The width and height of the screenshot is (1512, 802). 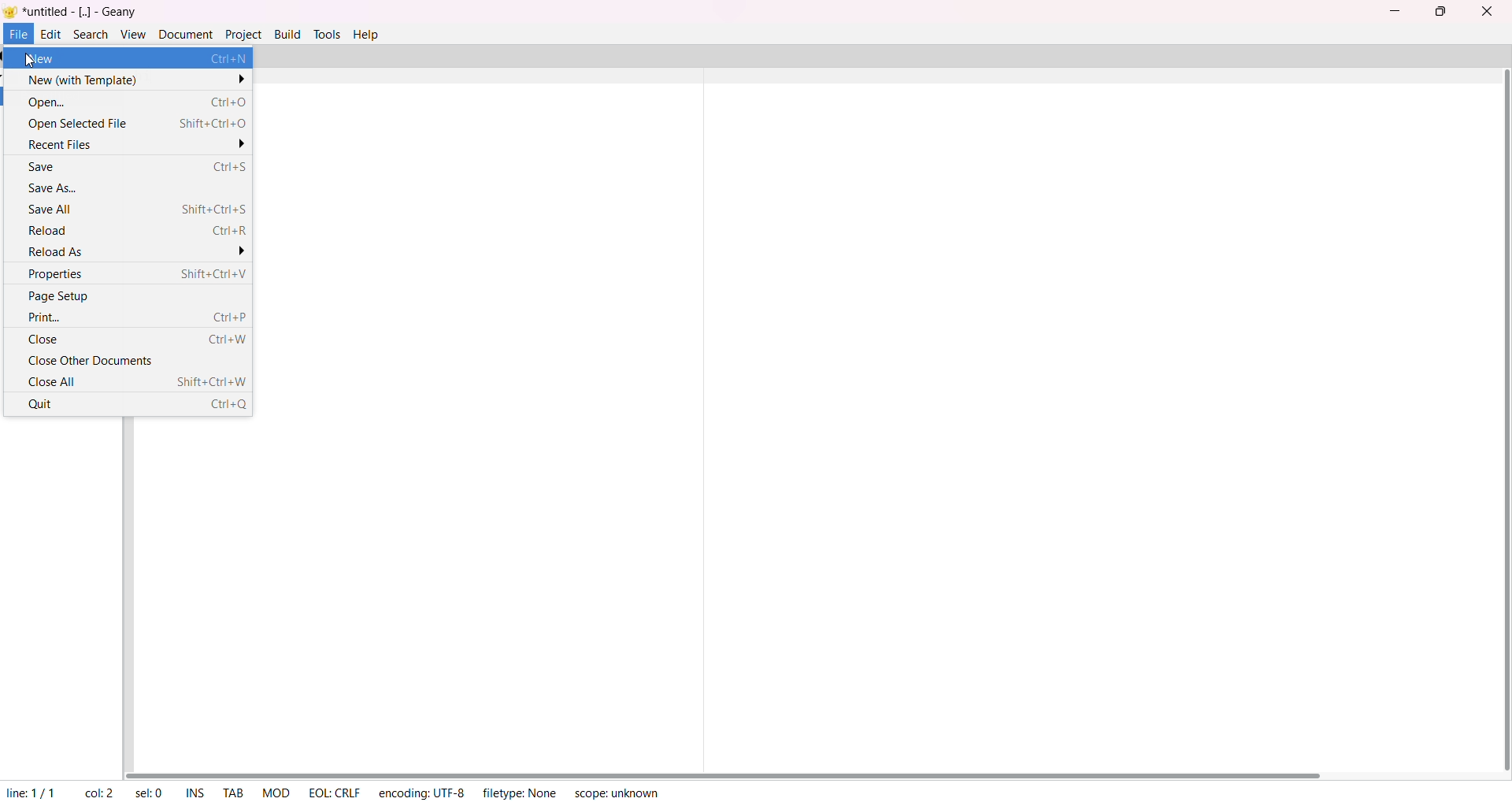 I want to click on EOL: CRLF, so click(x=332, y=791).